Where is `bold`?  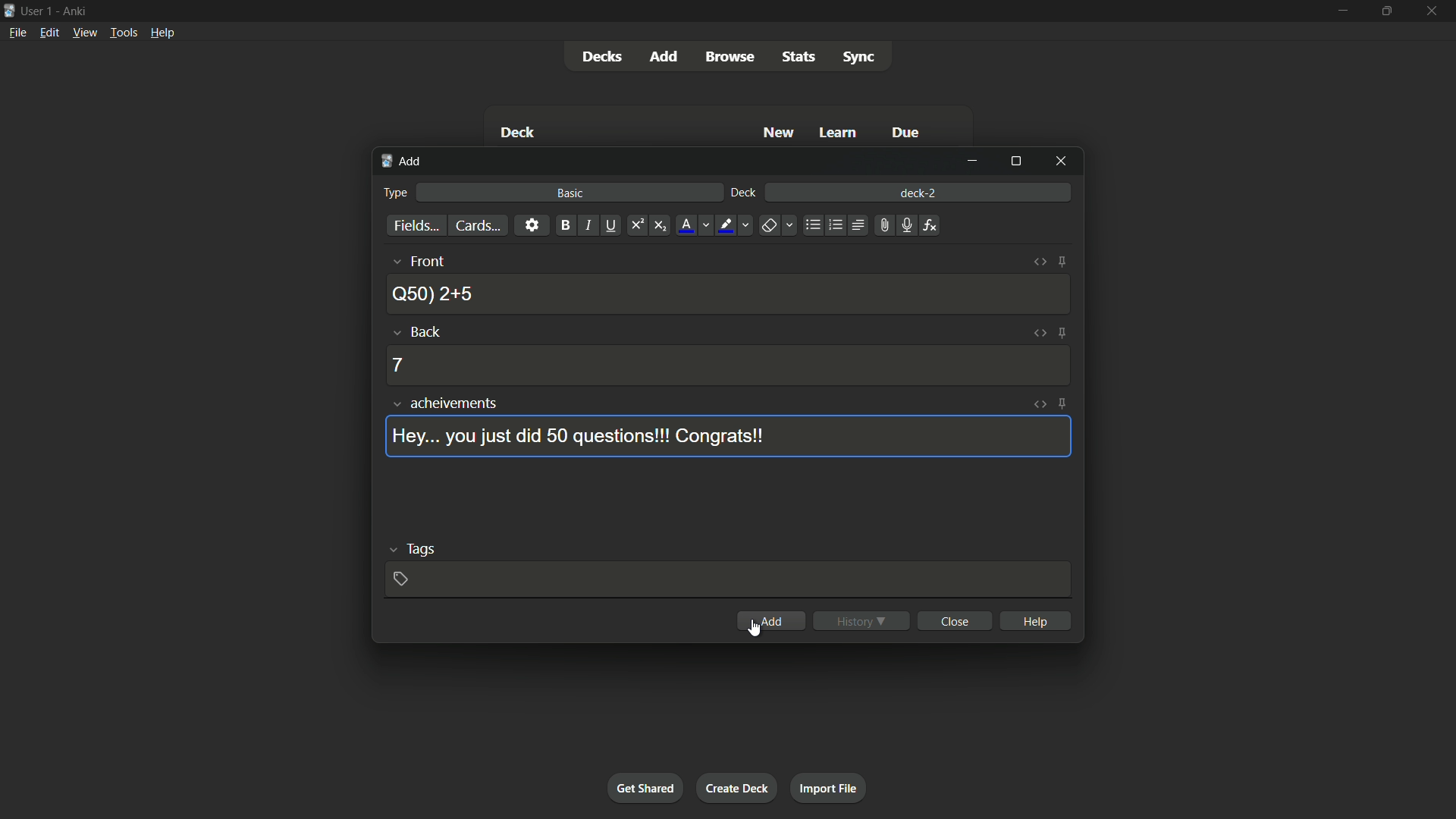
bold is located at coordinates (565, 226).